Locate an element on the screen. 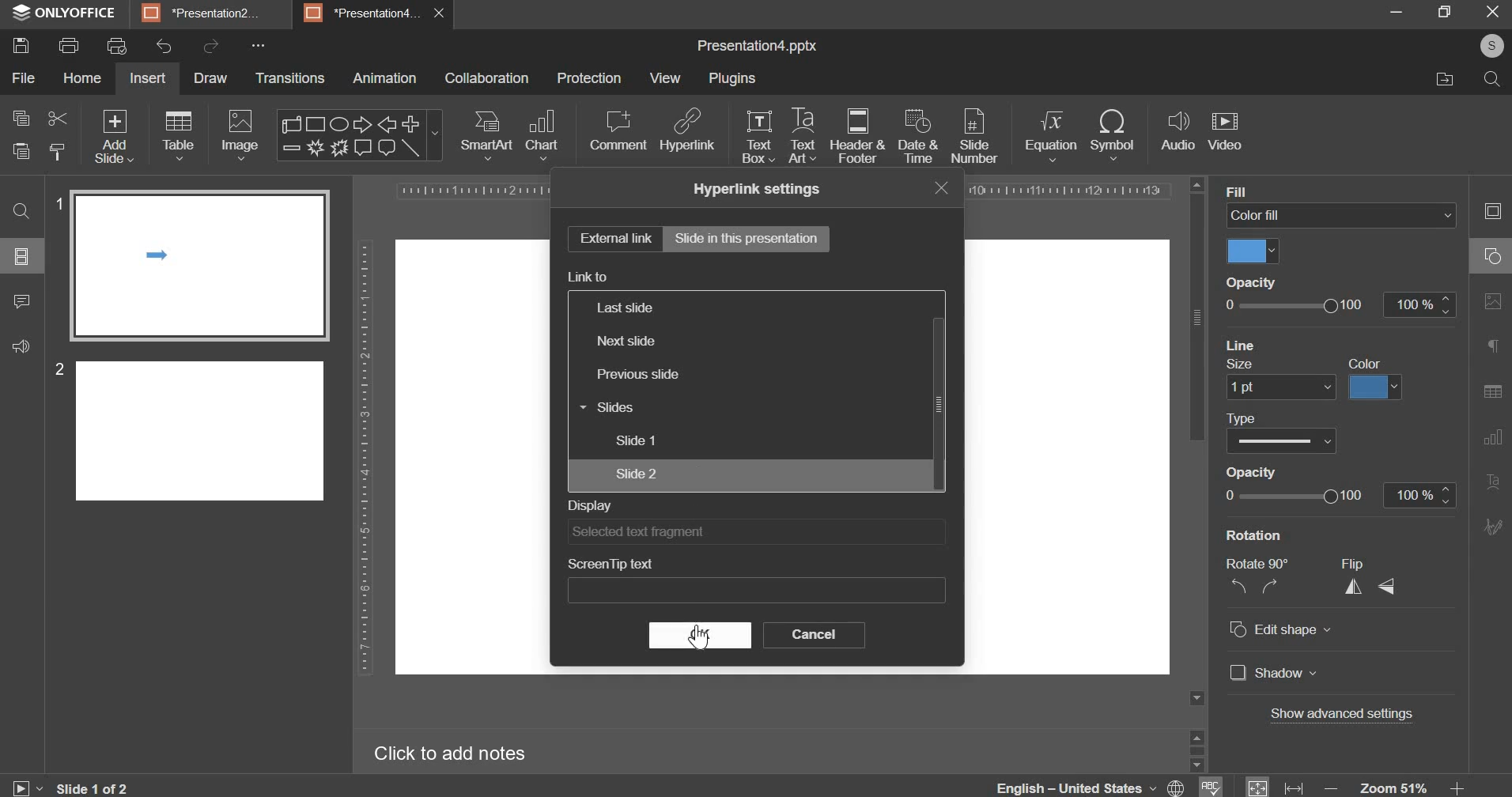 Image resolution: width=1512 pixels, height=797 pixels. comment is located at coordinates (617, 131).